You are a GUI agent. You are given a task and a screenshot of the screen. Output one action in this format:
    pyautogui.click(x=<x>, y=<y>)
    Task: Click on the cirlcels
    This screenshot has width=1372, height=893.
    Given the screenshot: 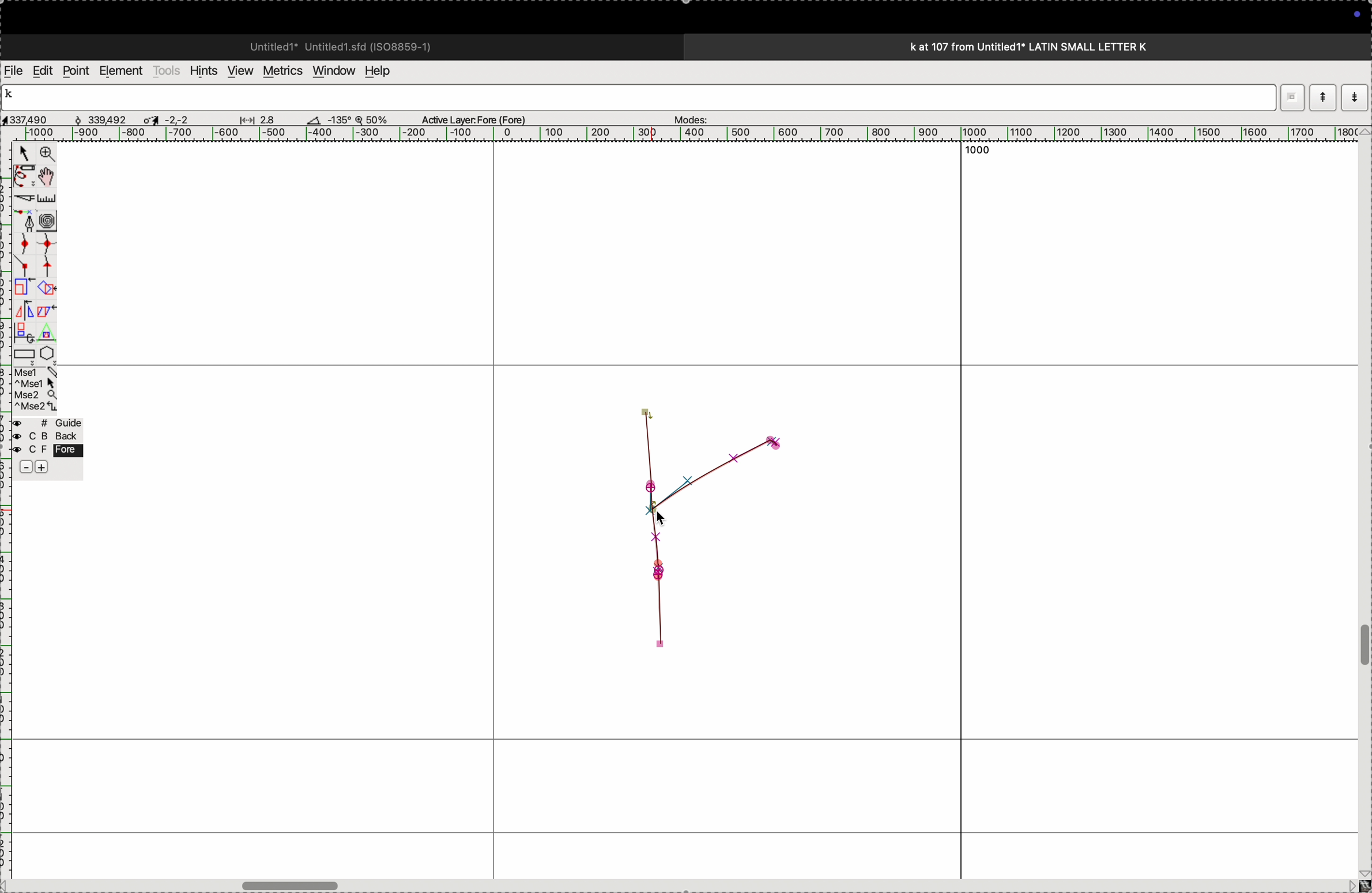 What is the action you would take?
    pyautogui.click(x=58, y=219)
    